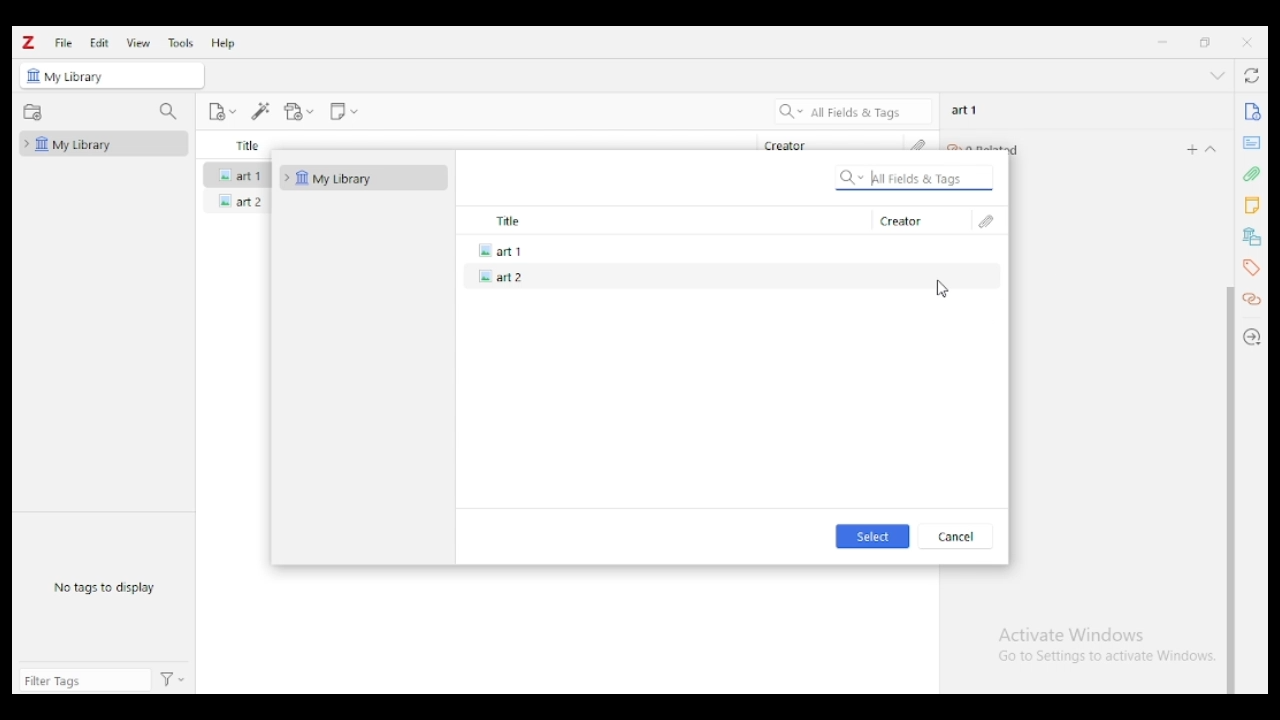 The image size is (1280, 720). Describe the element at coordinates (1254, 300) in the screenshot. I see `related` at that location.